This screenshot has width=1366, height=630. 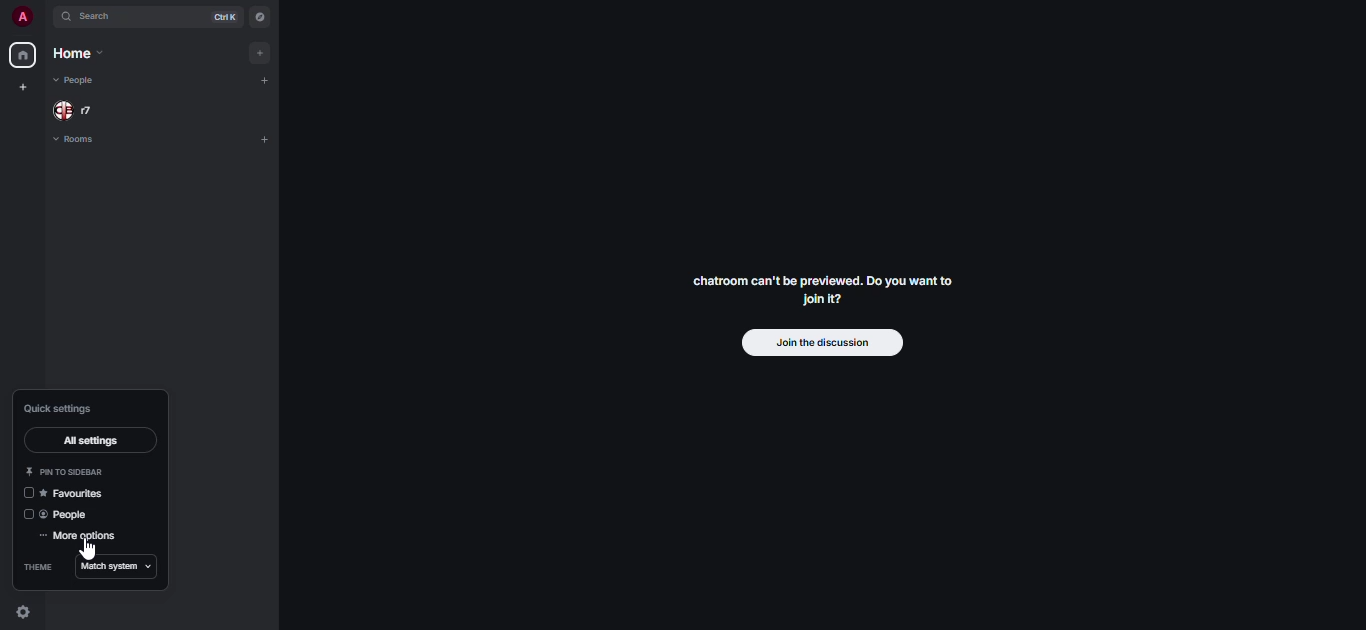 What do you see at coordinates (17, 17) in the screenshot?
I see `profile` at bounding box center [17, 17].